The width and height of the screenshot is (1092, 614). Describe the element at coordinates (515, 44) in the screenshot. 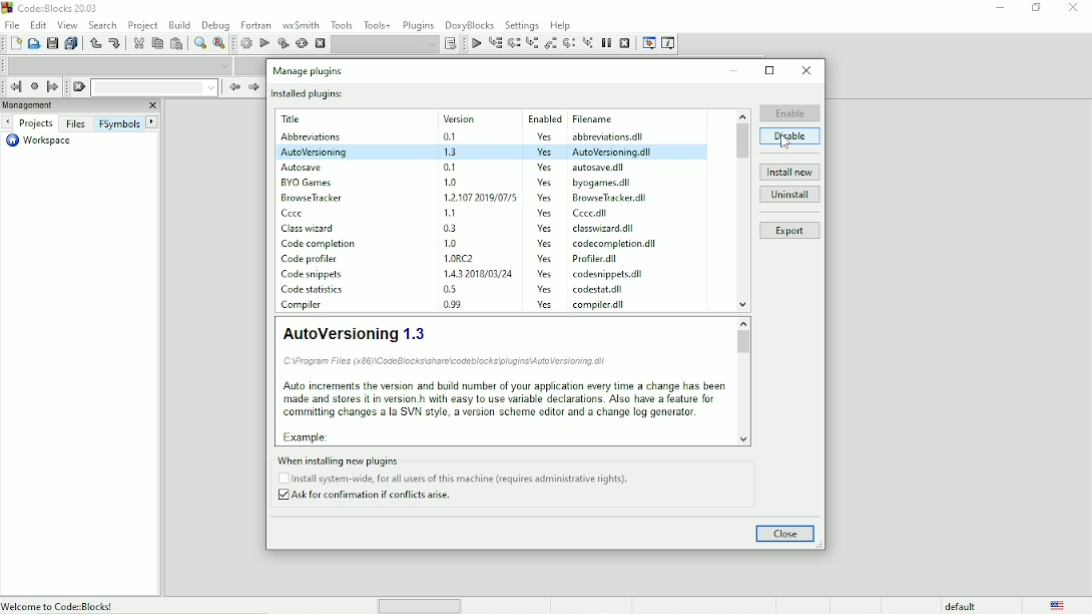

I see `Next line` at that location.